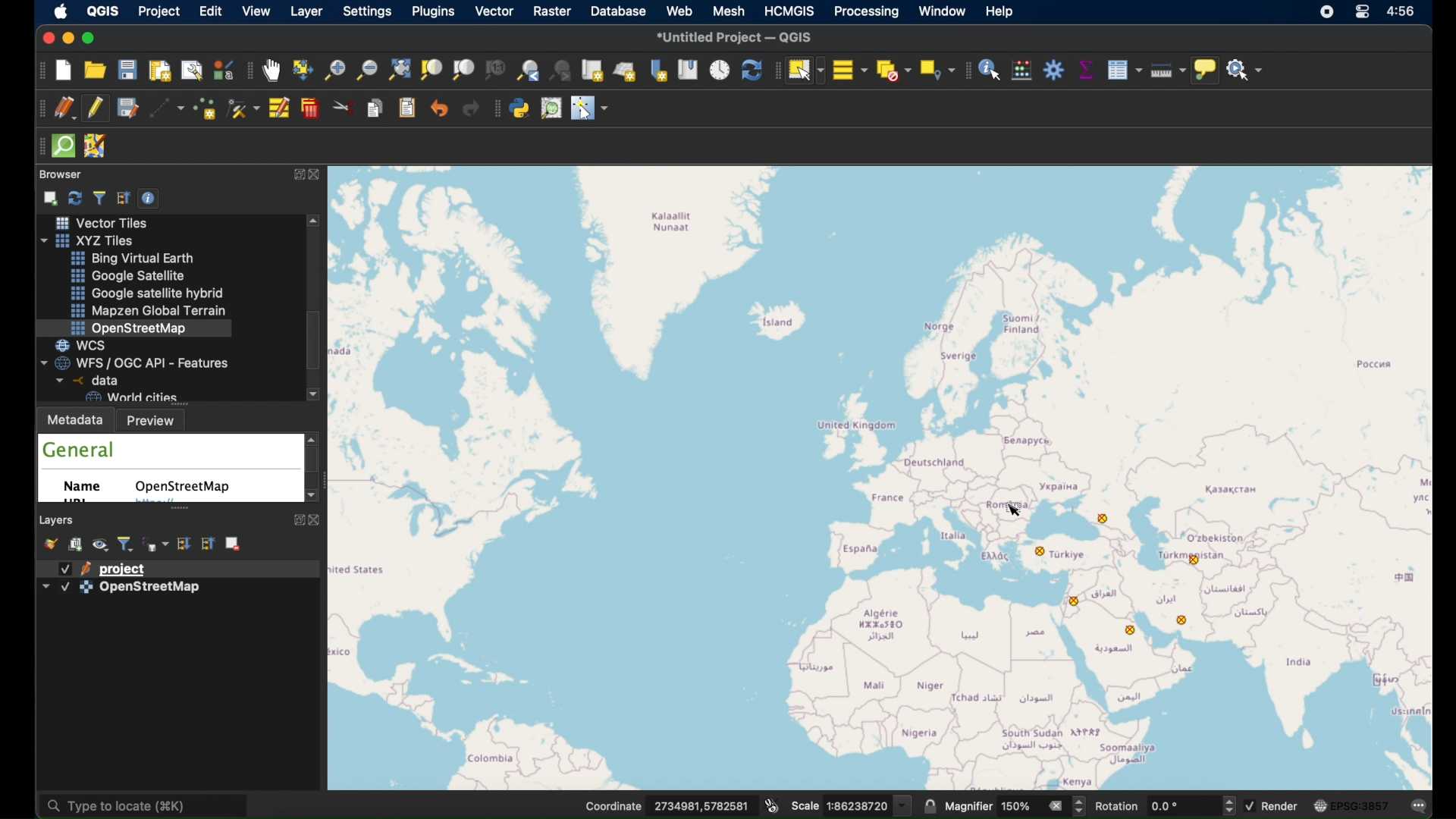 The height and width of the screenshot is (819, 1456). I want to click on new map view, so click(593, 71).